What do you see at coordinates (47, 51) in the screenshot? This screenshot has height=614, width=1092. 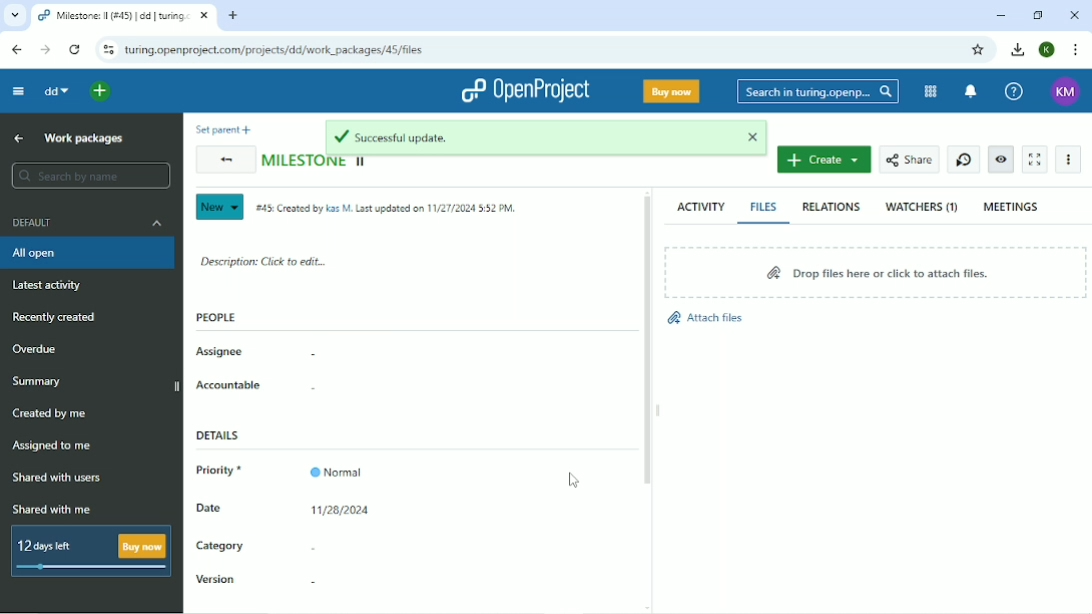 I see `Forward` at bounding box center [47, 51].